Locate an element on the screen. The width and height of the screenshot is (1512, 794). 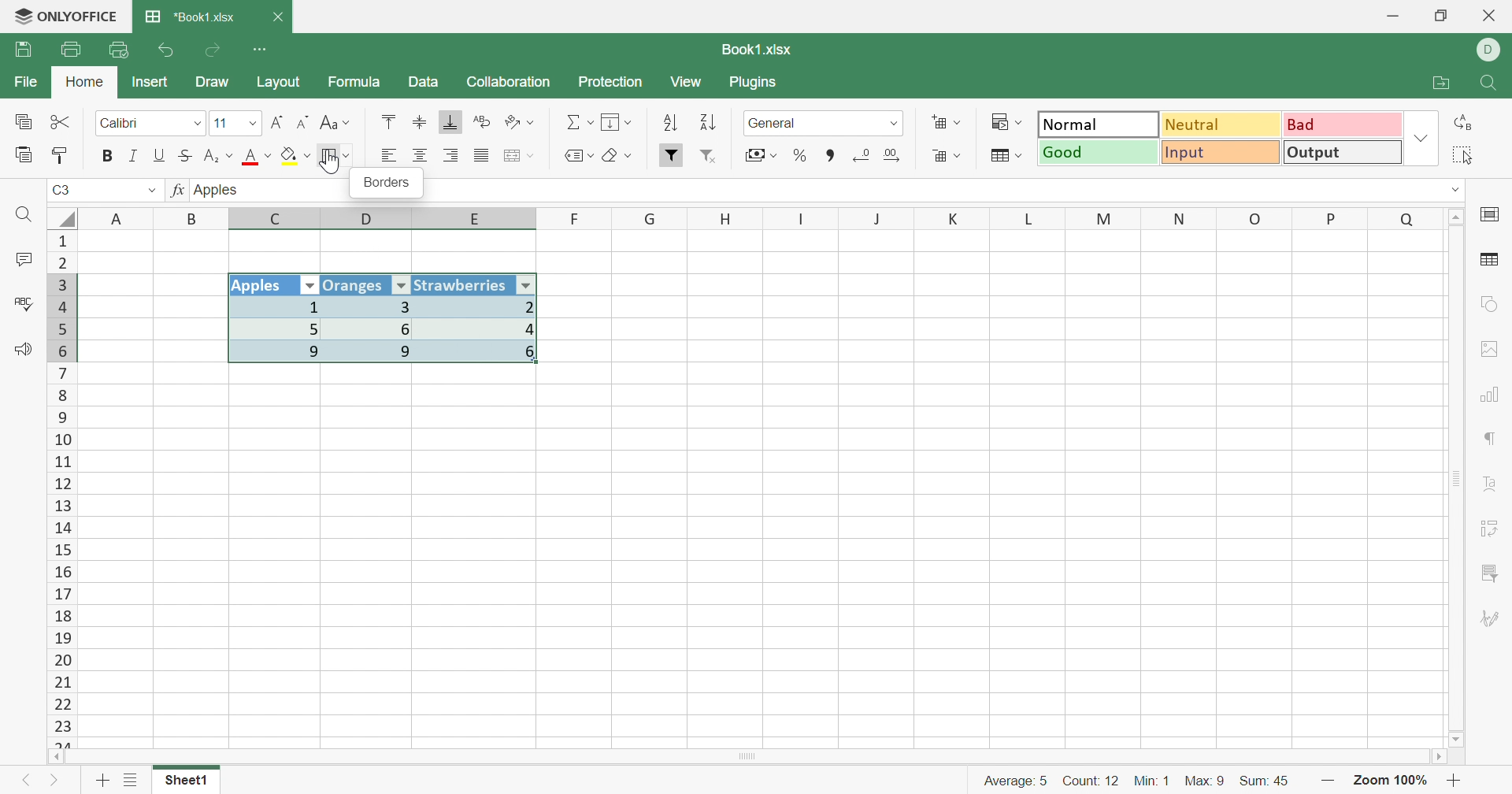
shape settings is located at coordinates (1488, 304).